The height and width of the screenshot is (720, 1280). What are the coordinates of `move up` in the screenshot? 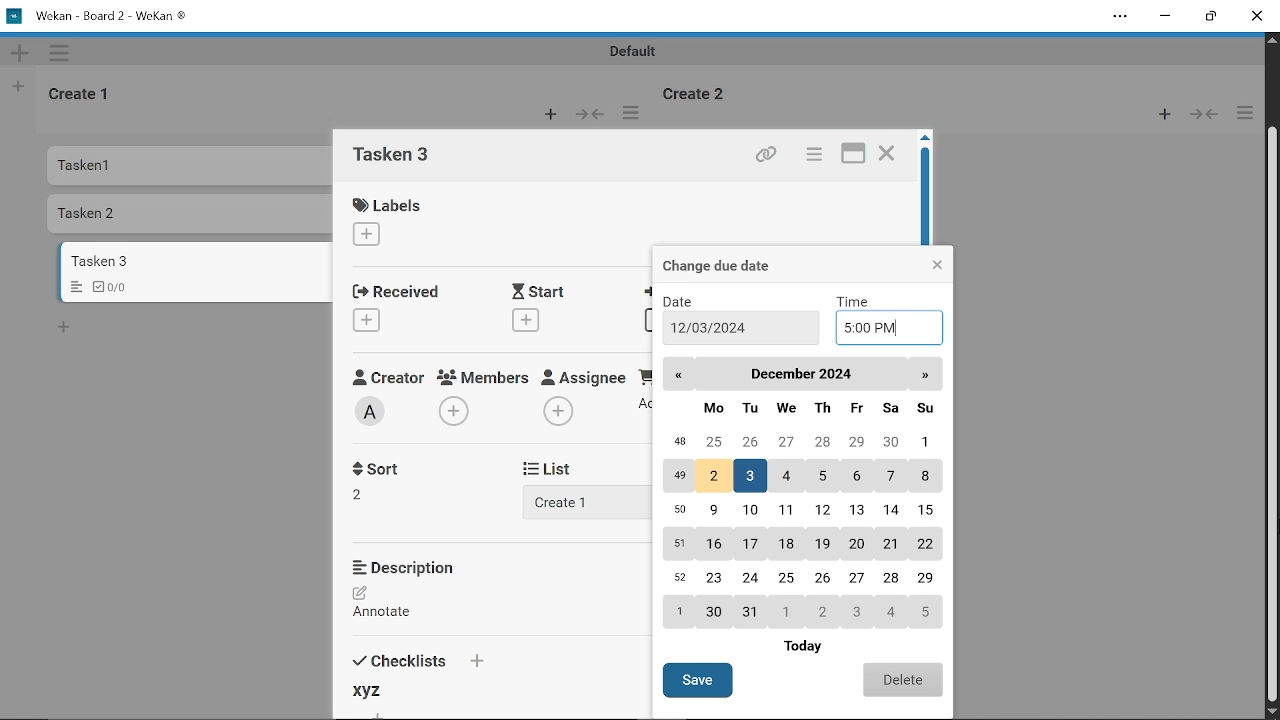 It's located at (925, 139).